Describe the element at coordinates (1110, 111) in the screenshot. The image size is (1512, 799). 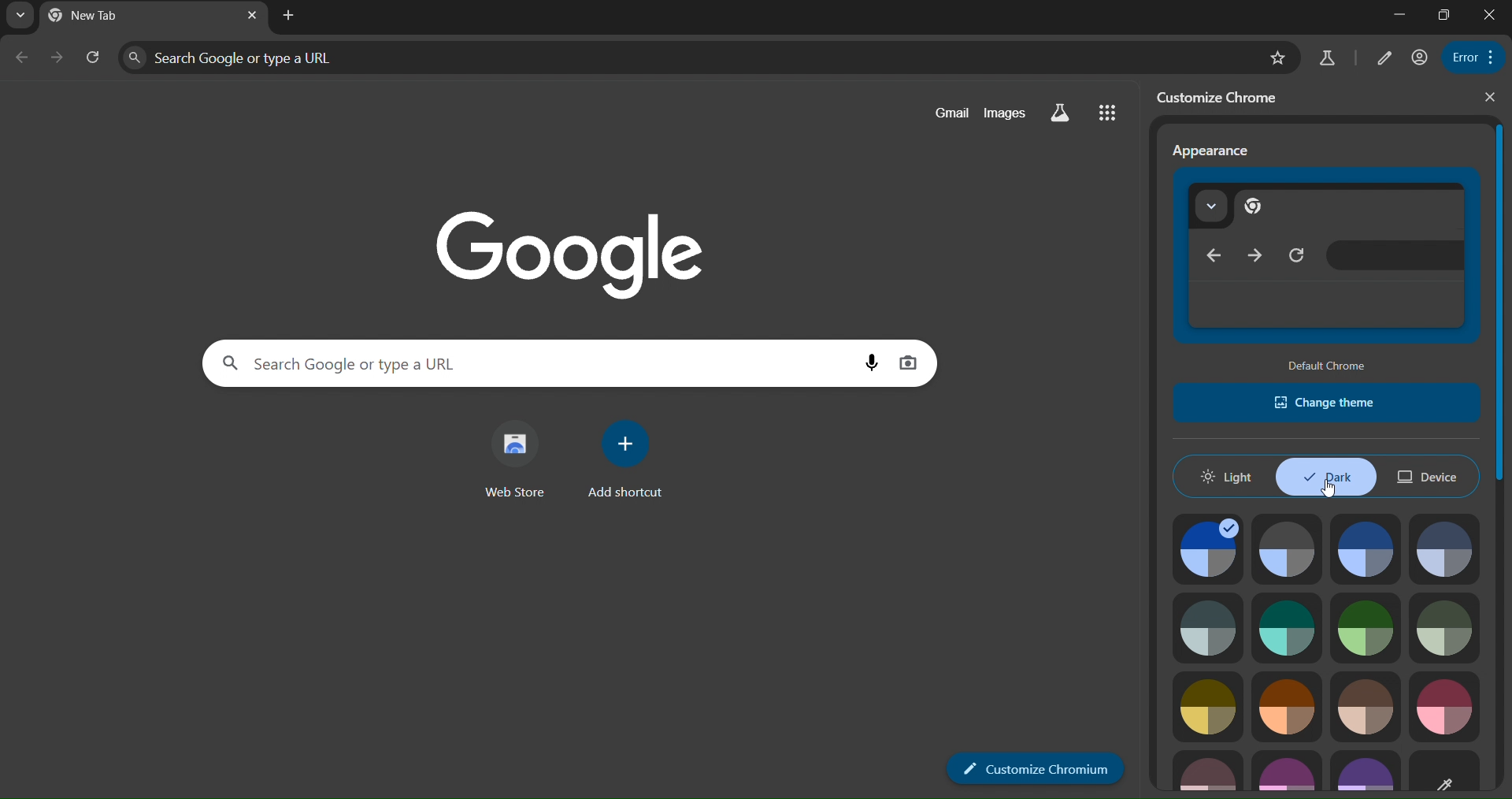
I see `google apps` at that location.